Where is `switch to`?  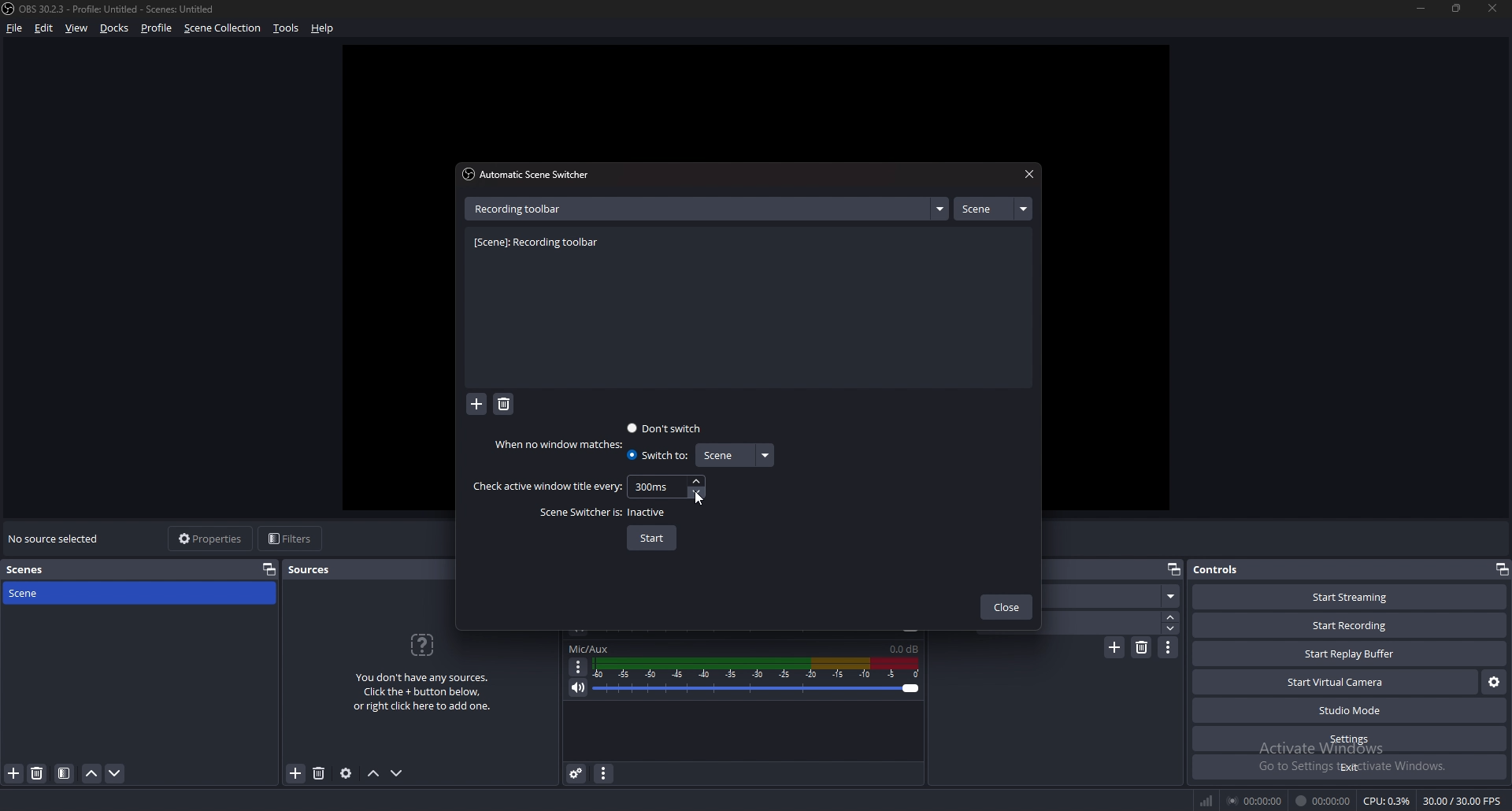
switch to is located at coordinates (657, 455).